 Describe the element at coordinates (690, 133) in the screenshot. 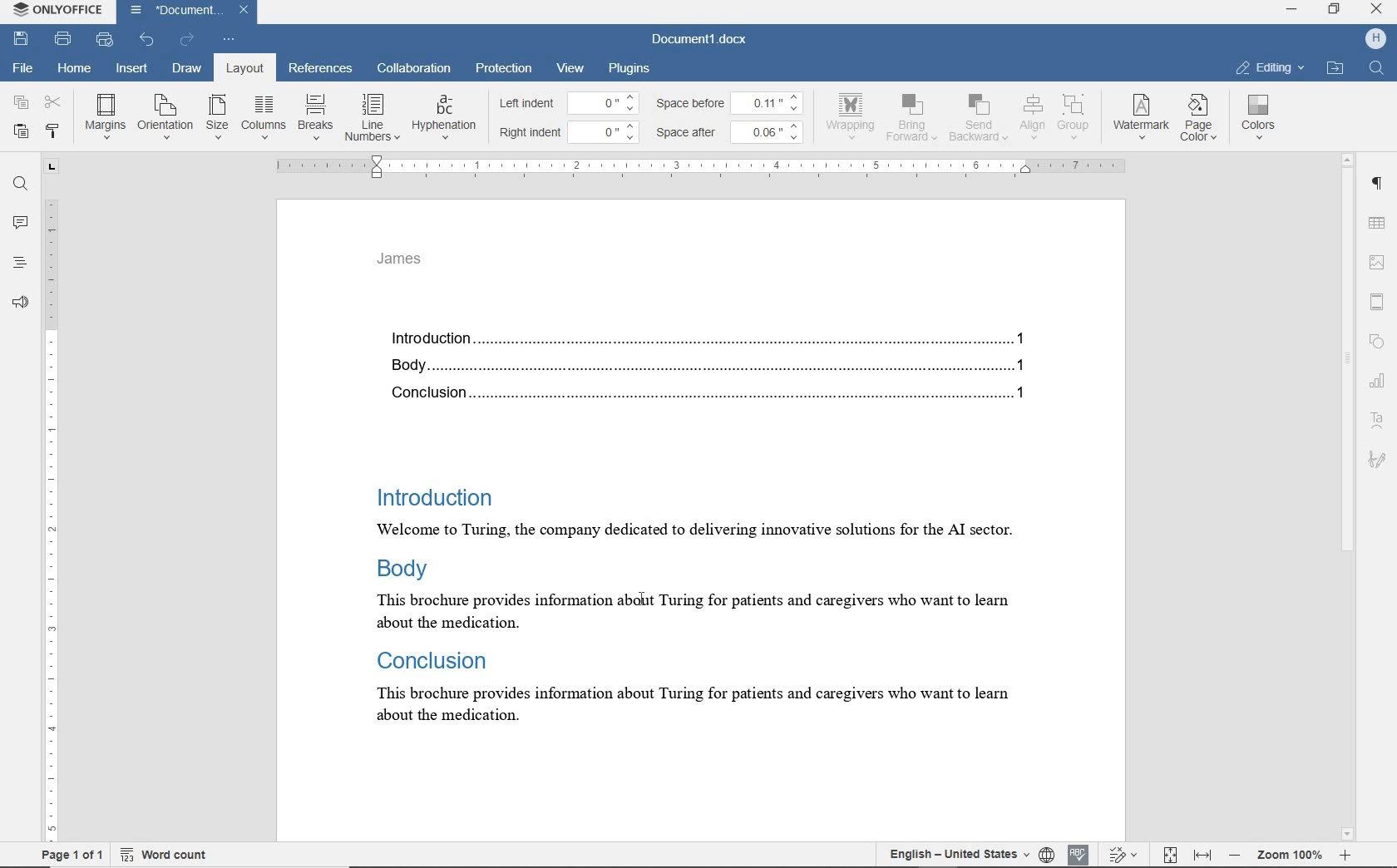

I see `space after` at that location.